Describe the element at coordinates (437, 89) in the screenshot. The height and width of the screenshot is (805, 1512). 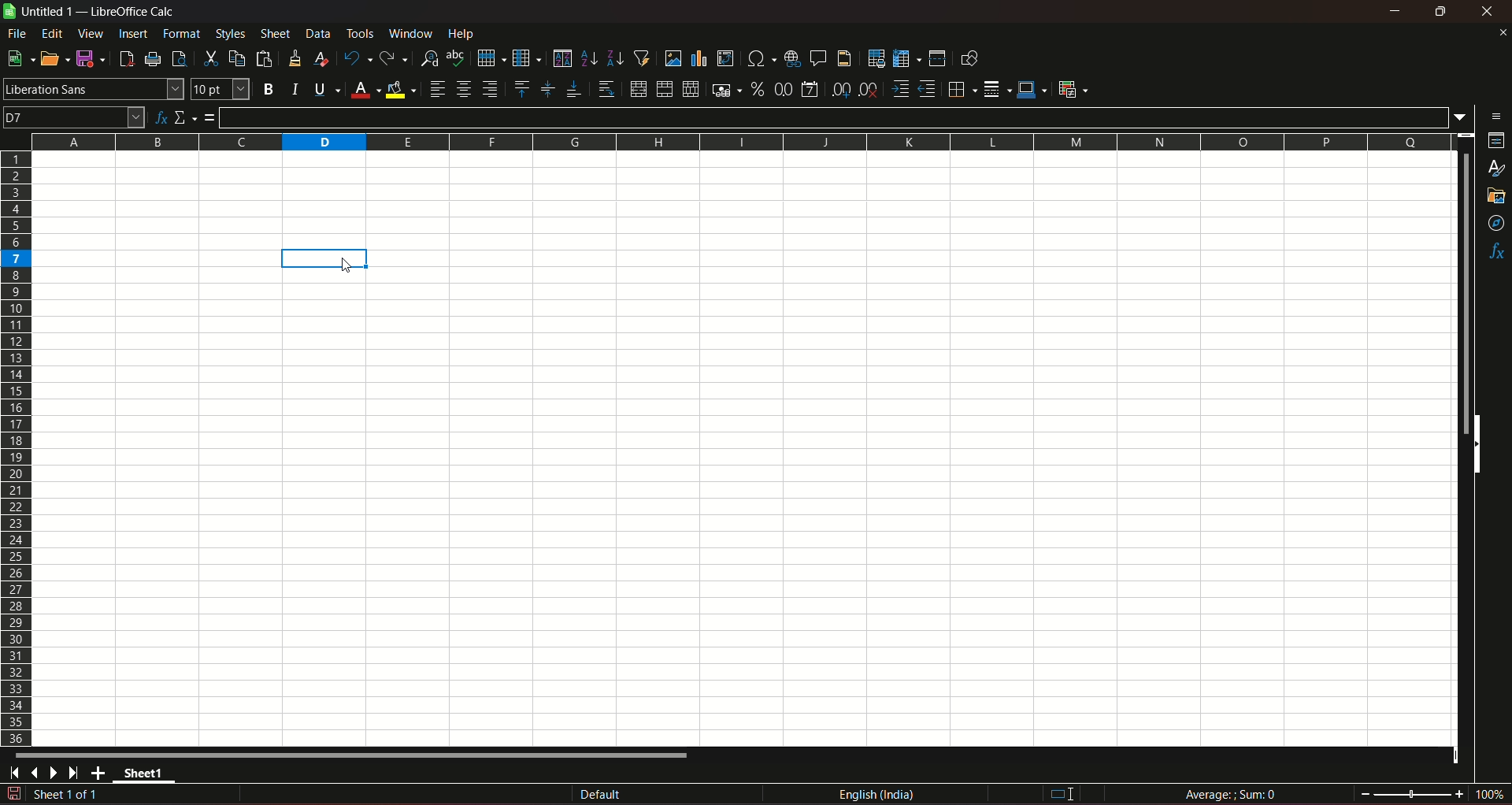
I see `align left` at that location.